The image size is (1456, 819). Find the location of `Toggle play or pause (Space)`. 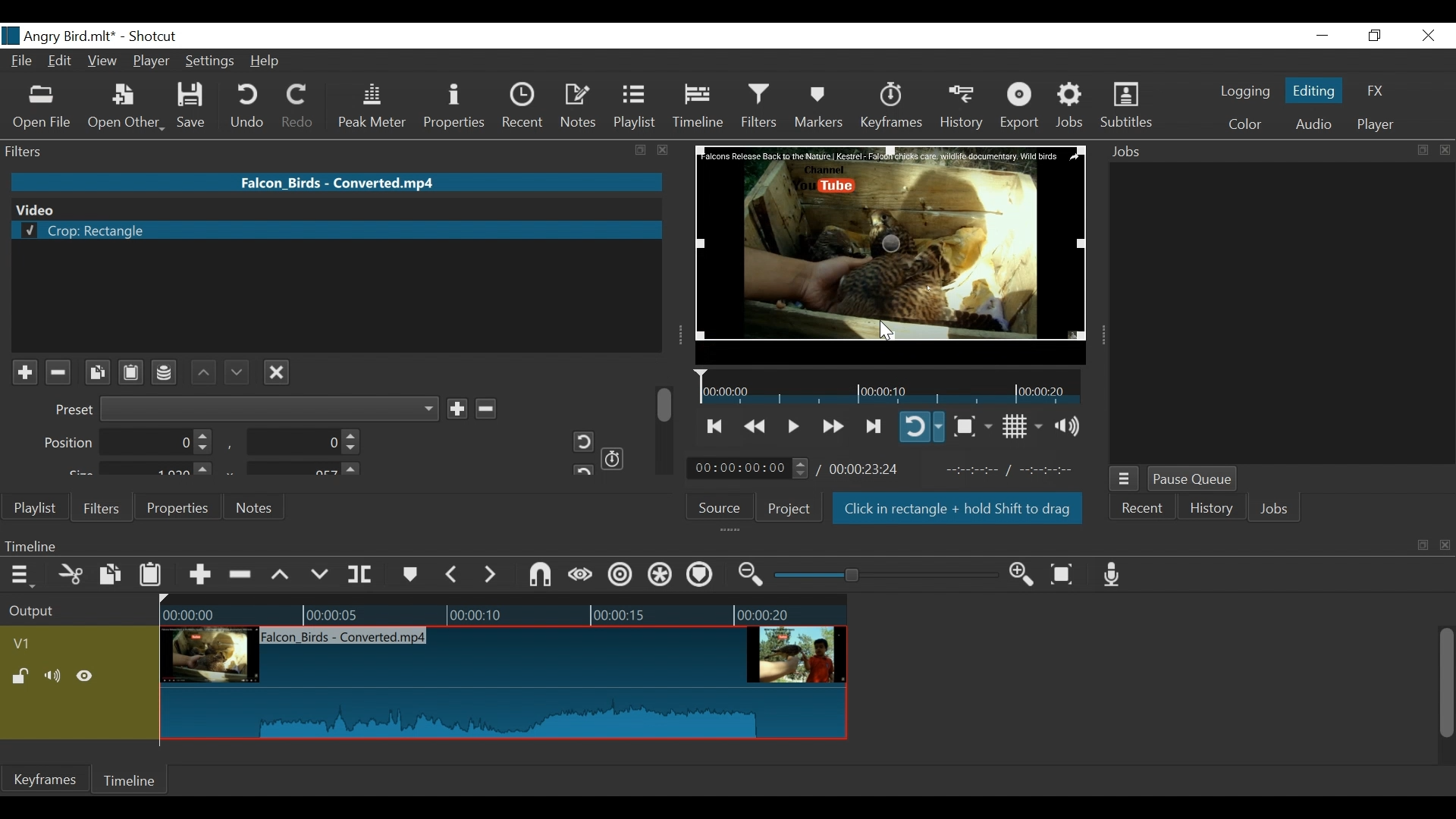

Toggle play or pause (Space) is located at coordinates (791, 428).